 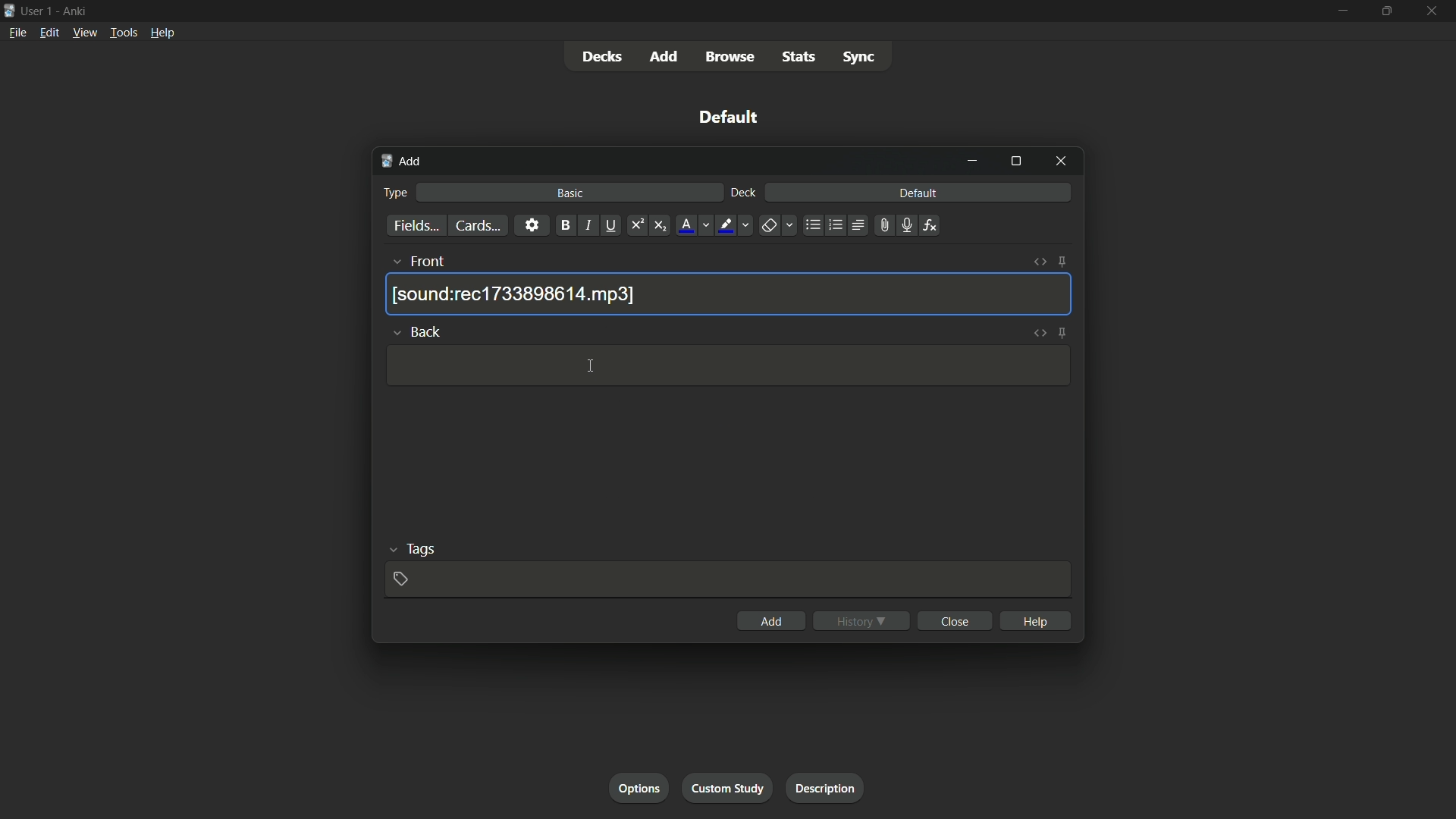 What do you see at coordinates (834, 225) in the screenshot?
I see `ordered list` at bounding box center [834, 225].